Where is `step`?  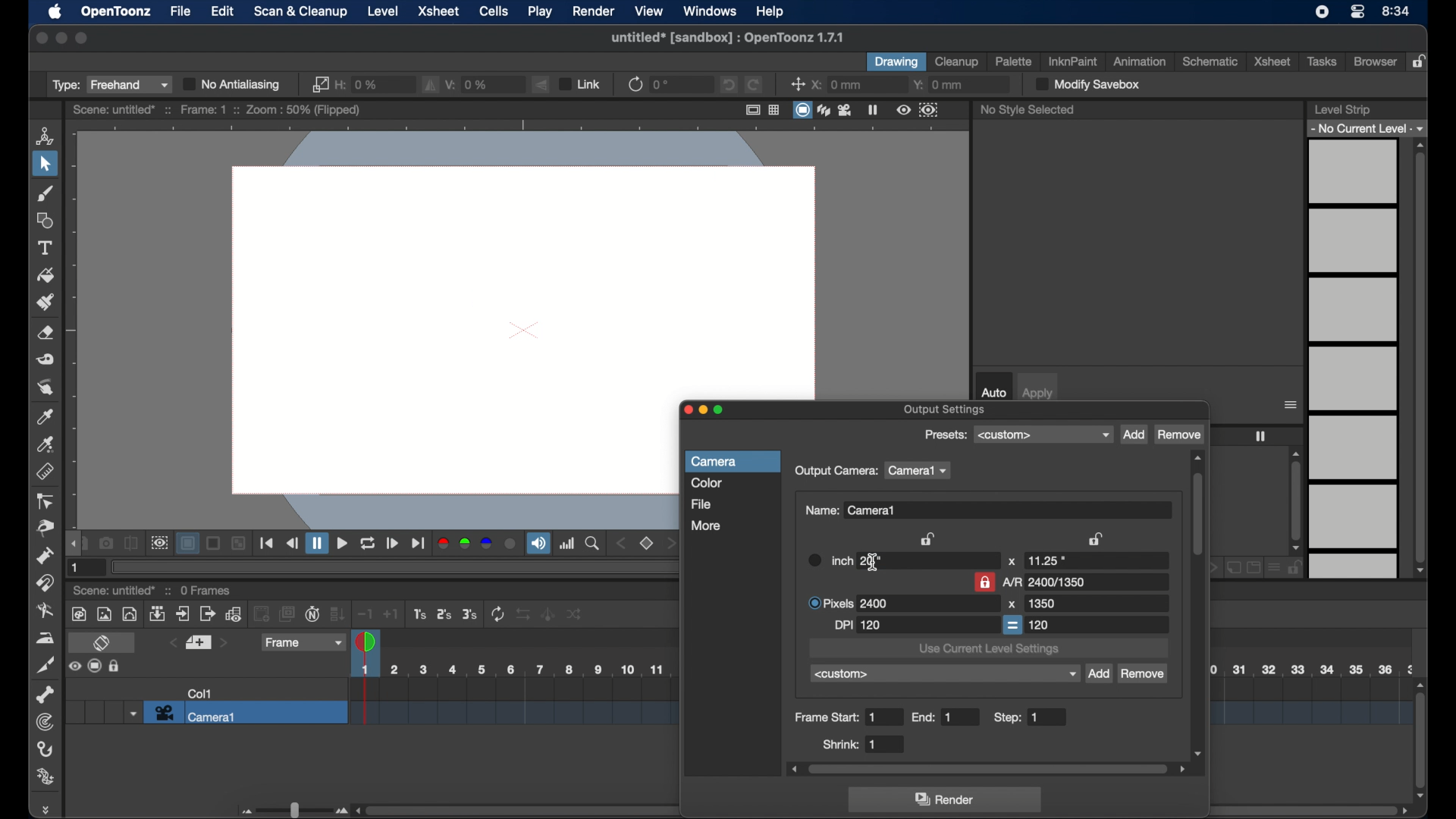
step is located at coordinates (1020, 717).